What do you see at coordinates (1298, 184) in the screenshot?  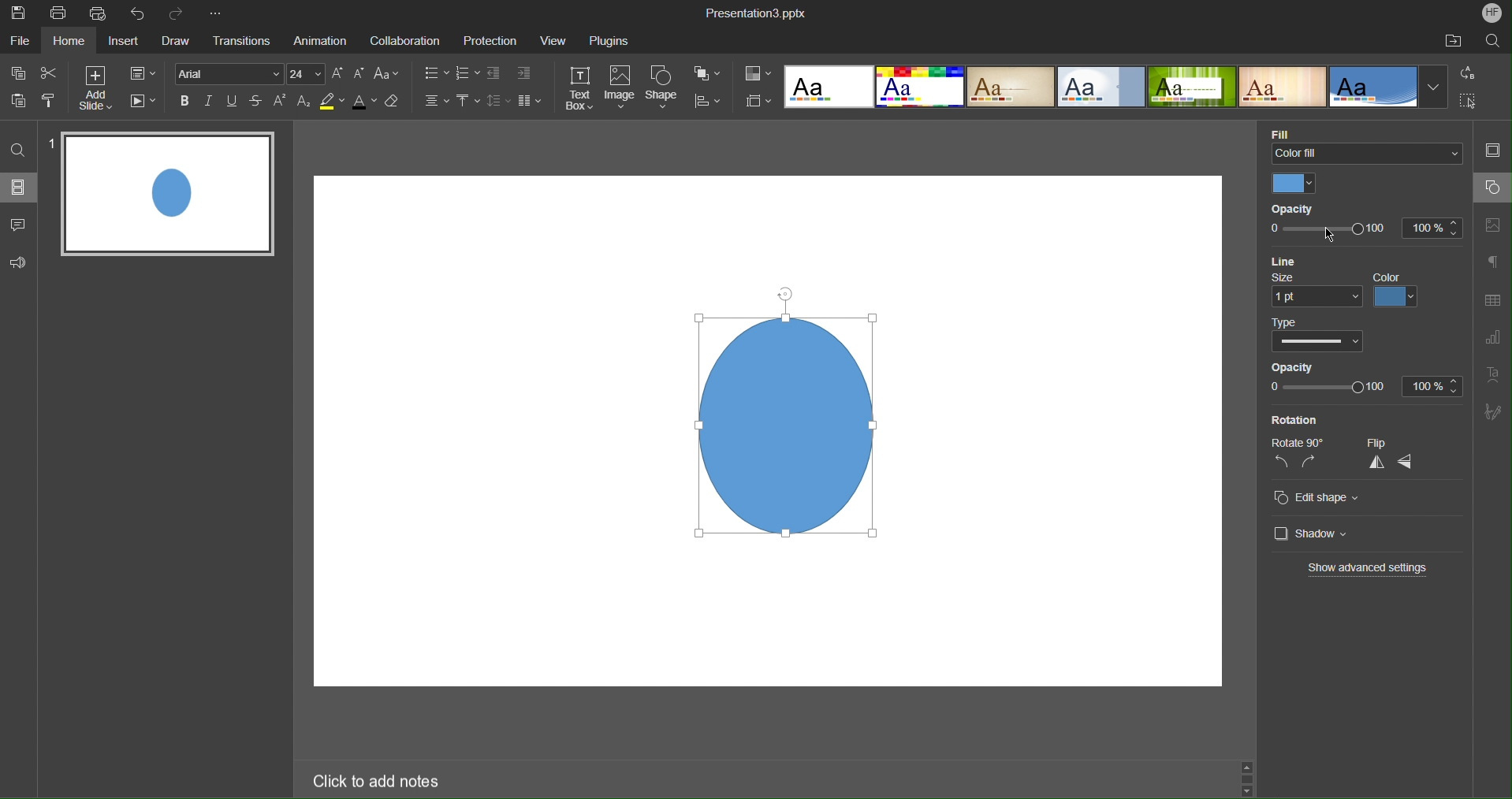 I see `Color` at bounding box center [1298, 184].